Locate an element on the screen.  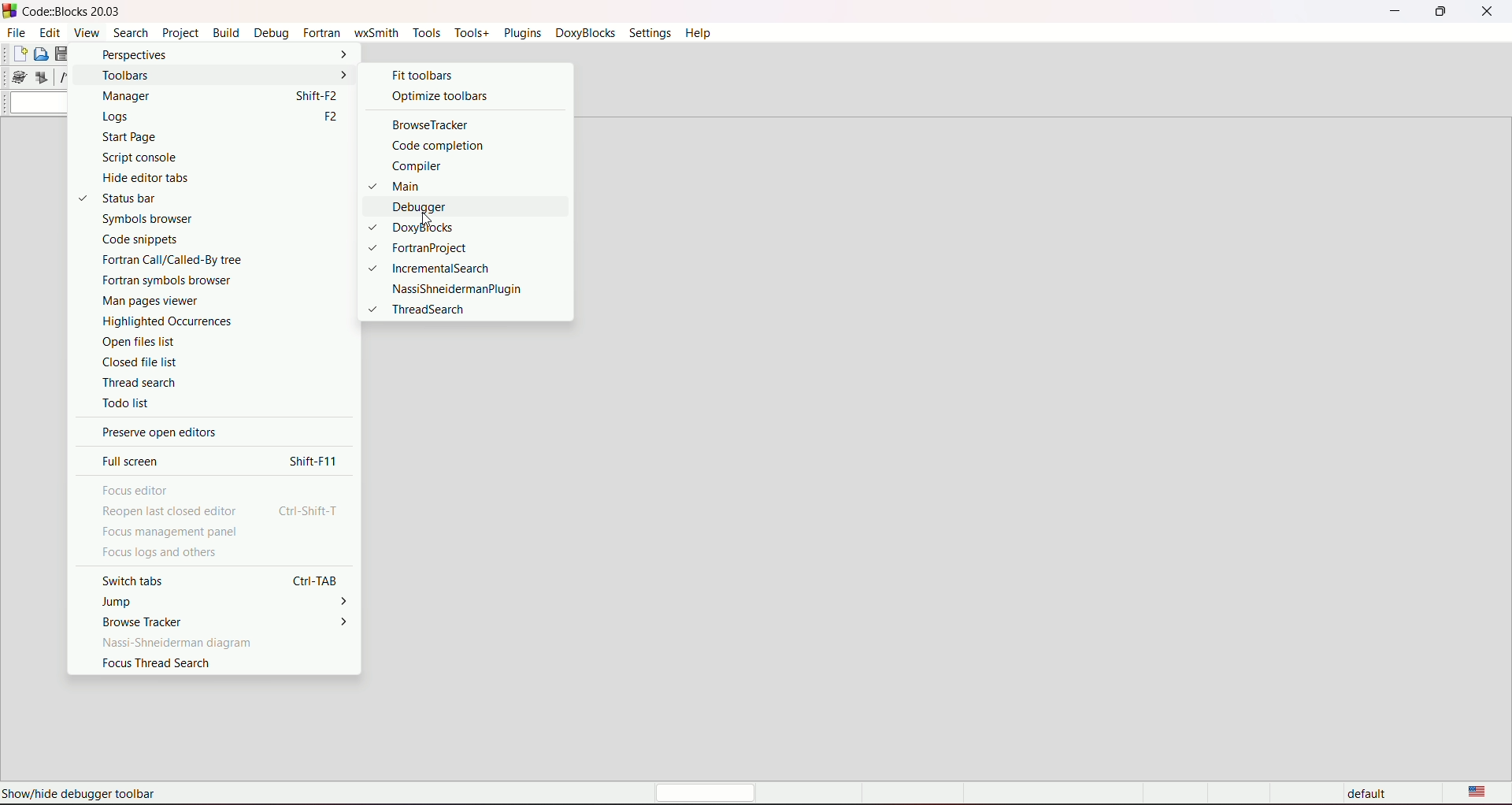
F2 is located at coordinates (328, 118).